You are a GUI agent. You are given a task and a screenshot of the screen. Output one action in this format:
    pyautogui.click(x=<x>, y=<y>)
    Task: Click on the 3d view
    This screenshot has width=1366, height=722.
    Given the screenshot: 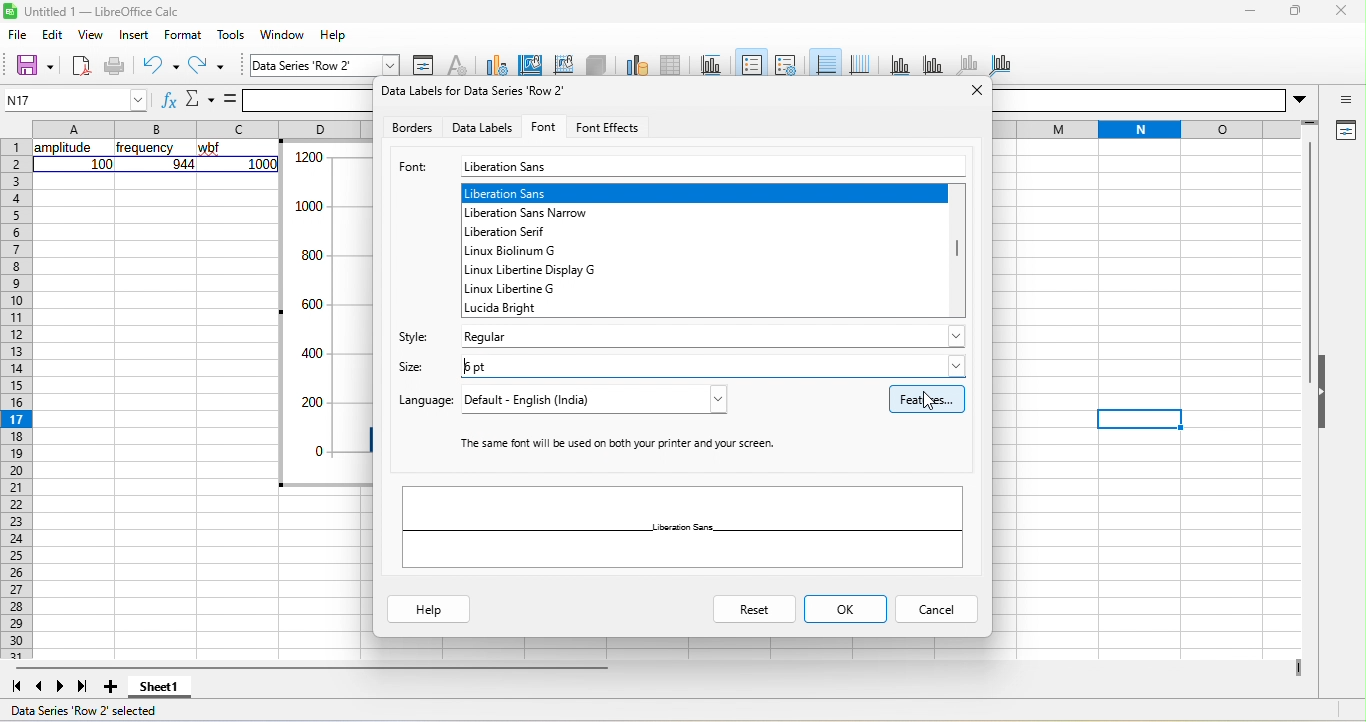 What is the action you would take?
    pyautogui.click(x=598, y=65)
    